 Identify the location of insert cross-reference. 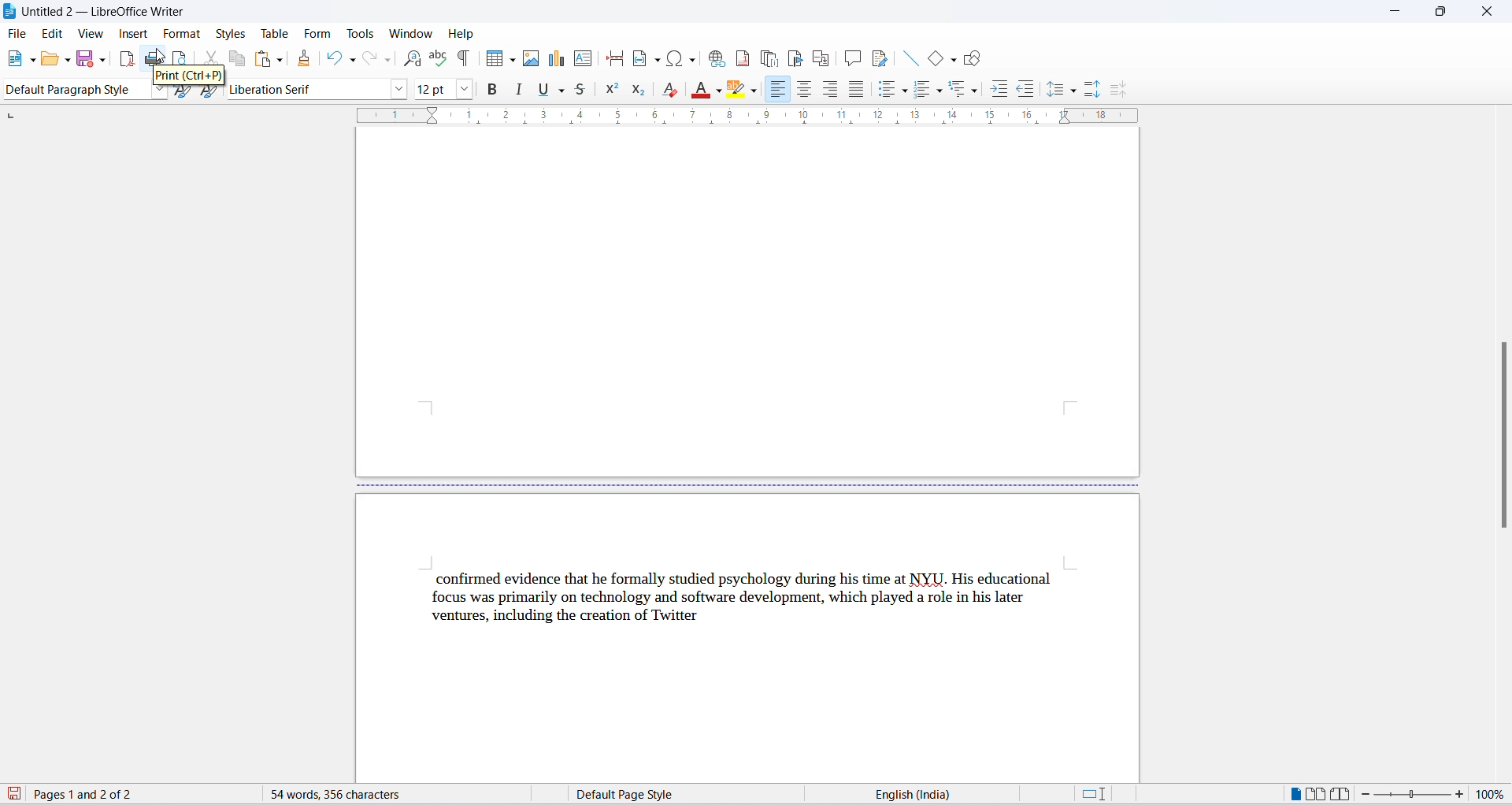
(821, 57).